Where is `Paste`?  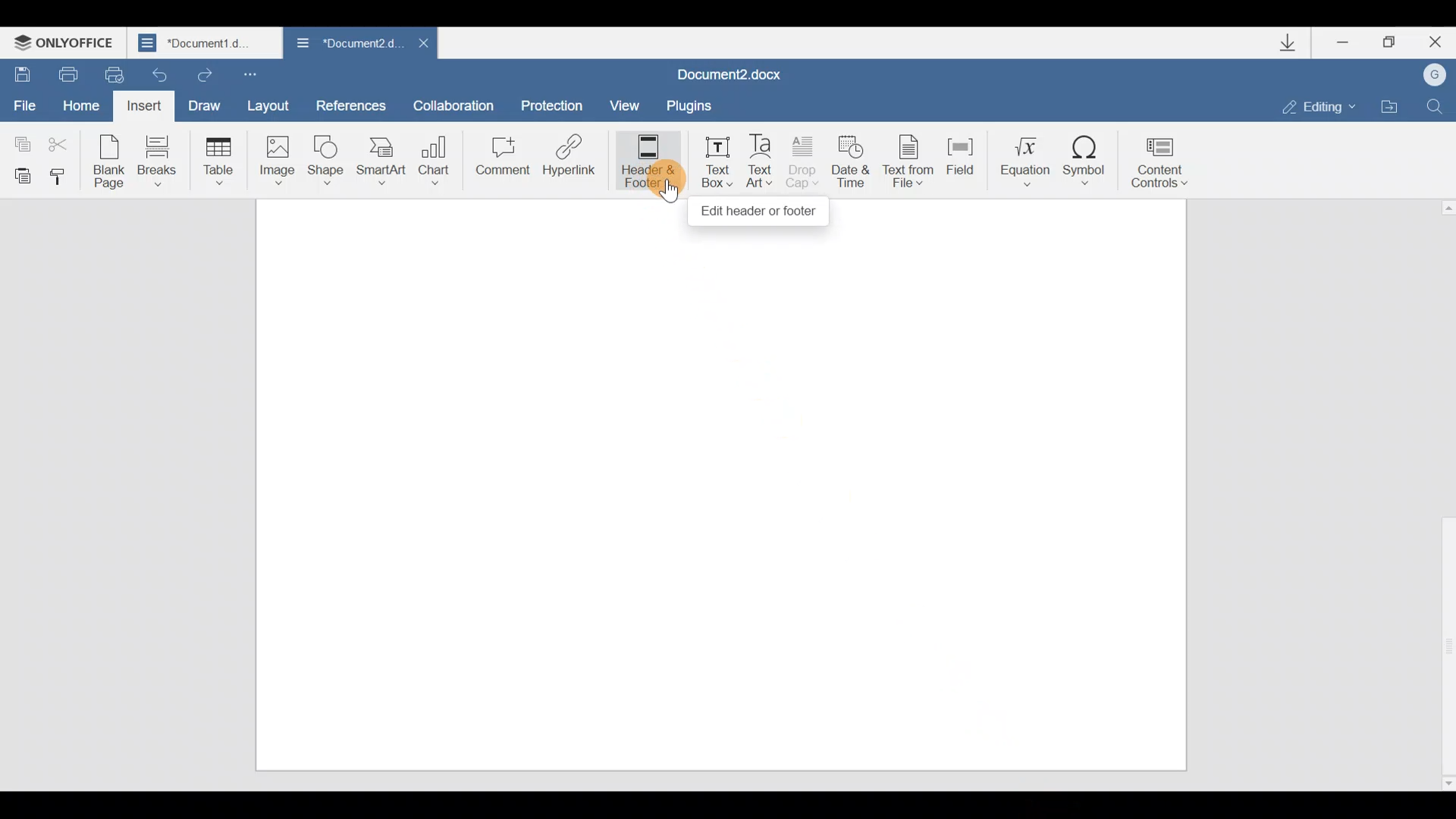 Paste is located at coordinates (20, 174).